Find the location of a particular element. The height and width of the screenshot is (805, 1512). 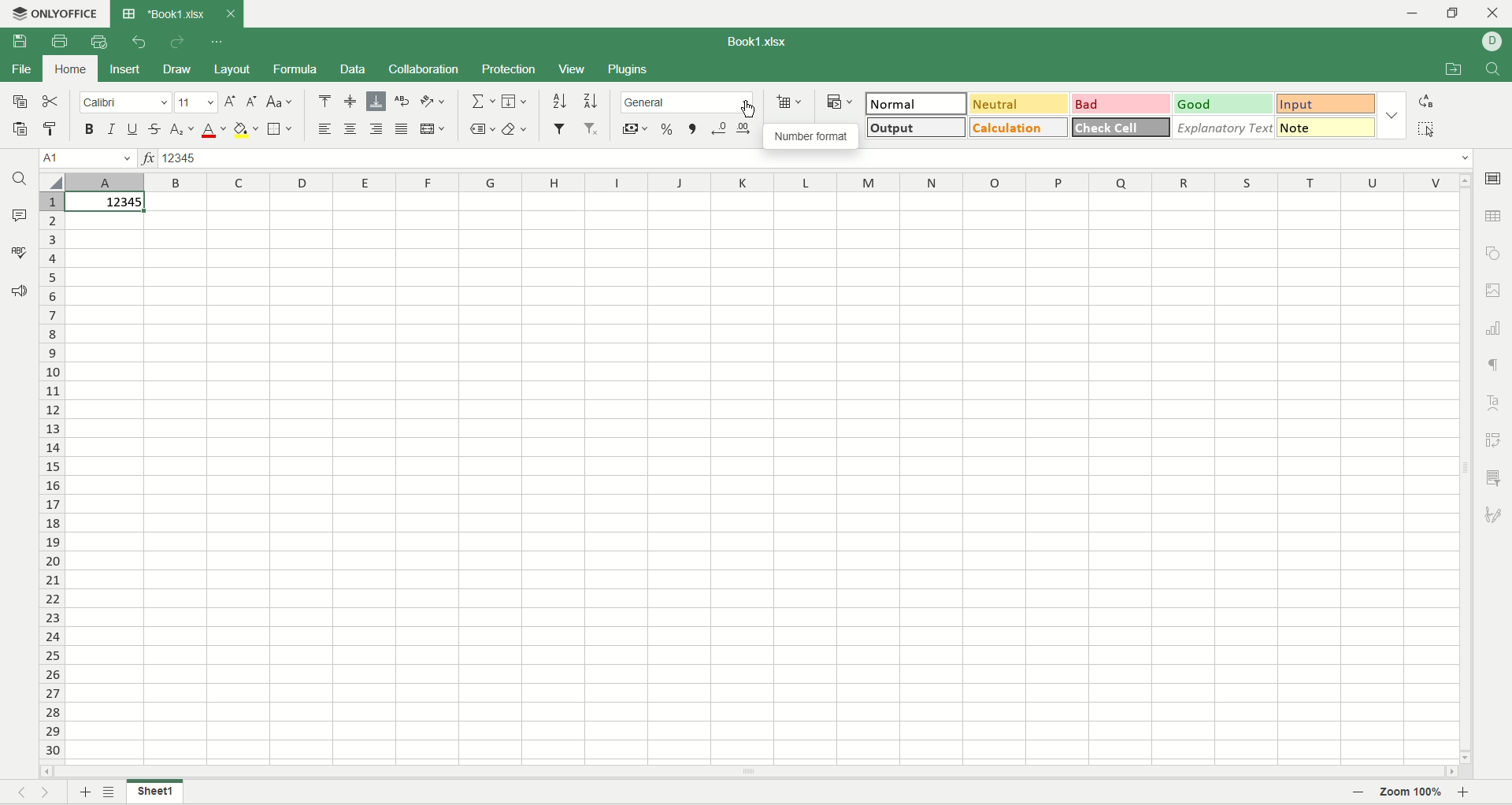

sort ascending is located at coordinates (561, 102).